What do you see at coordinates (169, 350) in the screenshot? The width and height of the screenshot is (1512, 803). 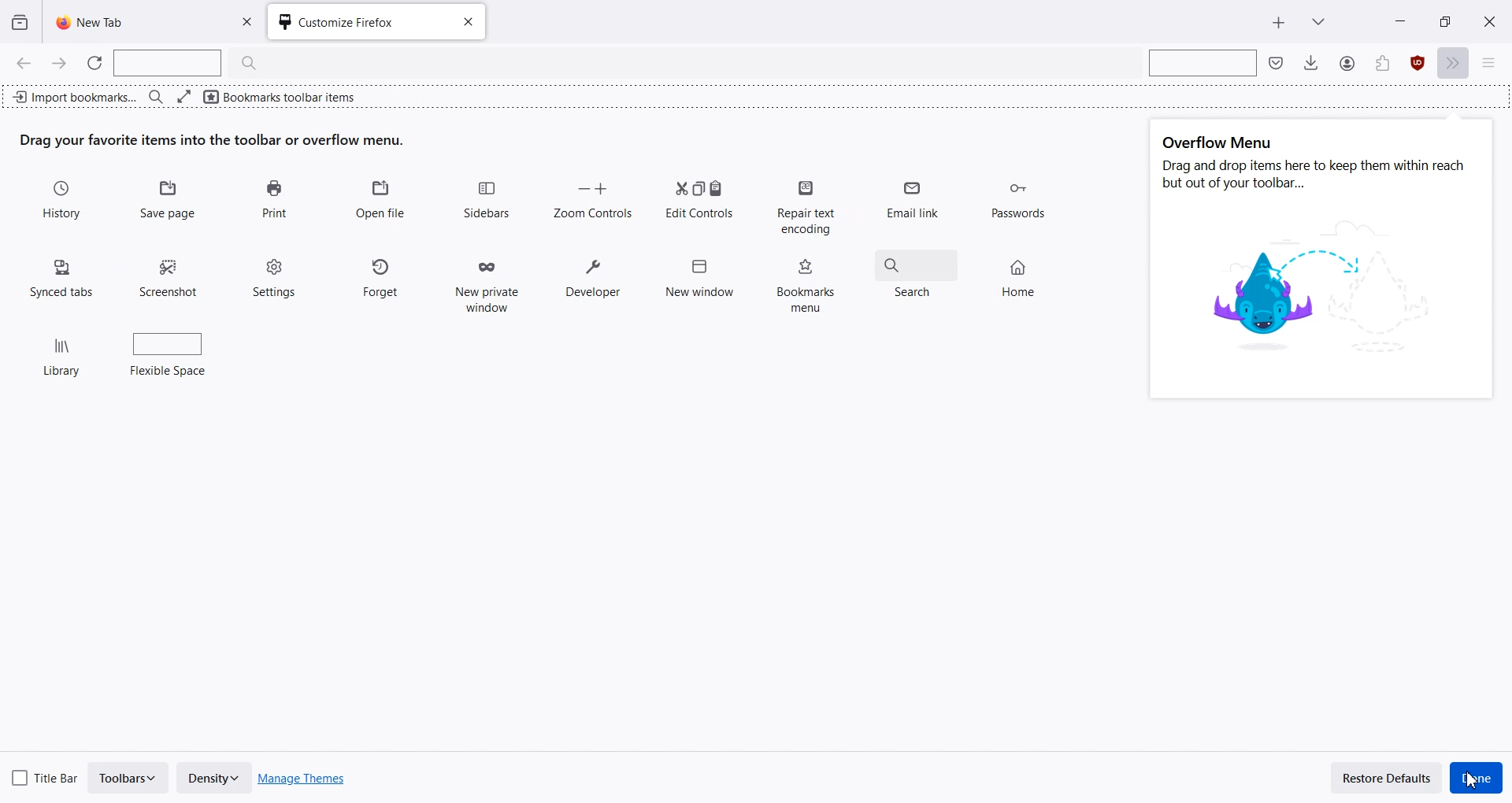 I see `Flexible space` at bounding box center [169, 350].